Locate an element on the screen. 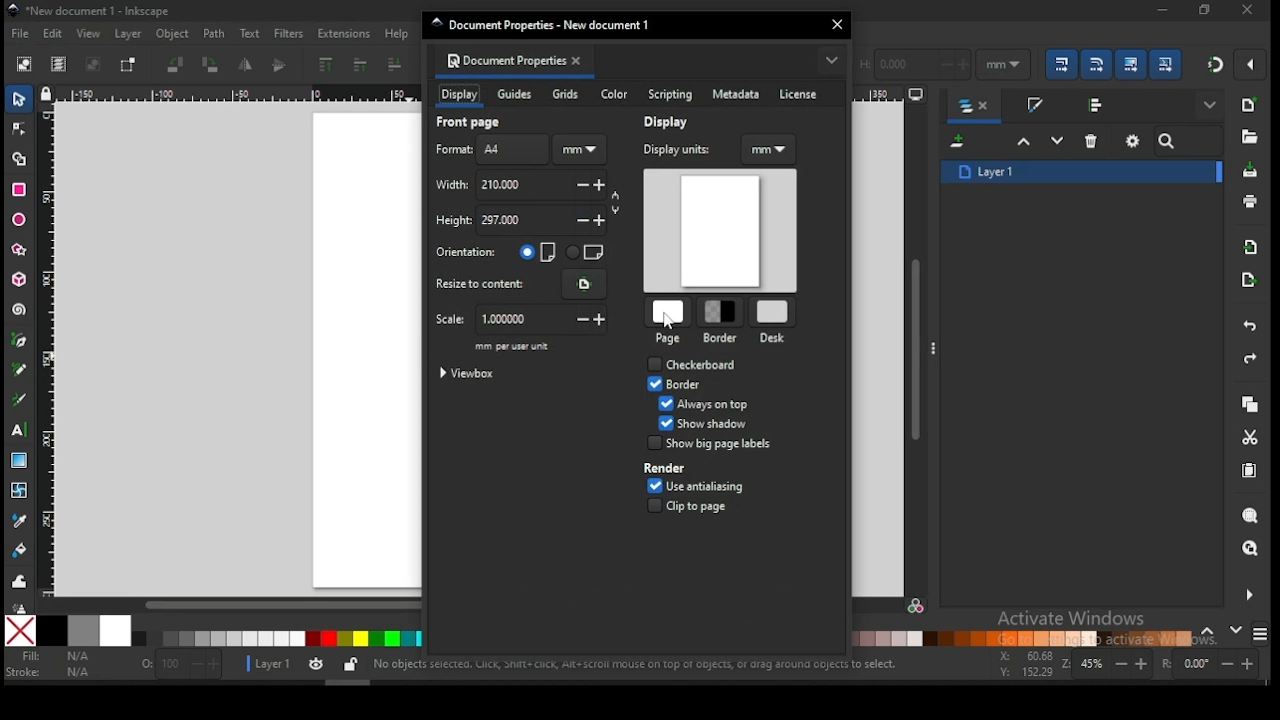  layer is located at coordinates (128, 34).